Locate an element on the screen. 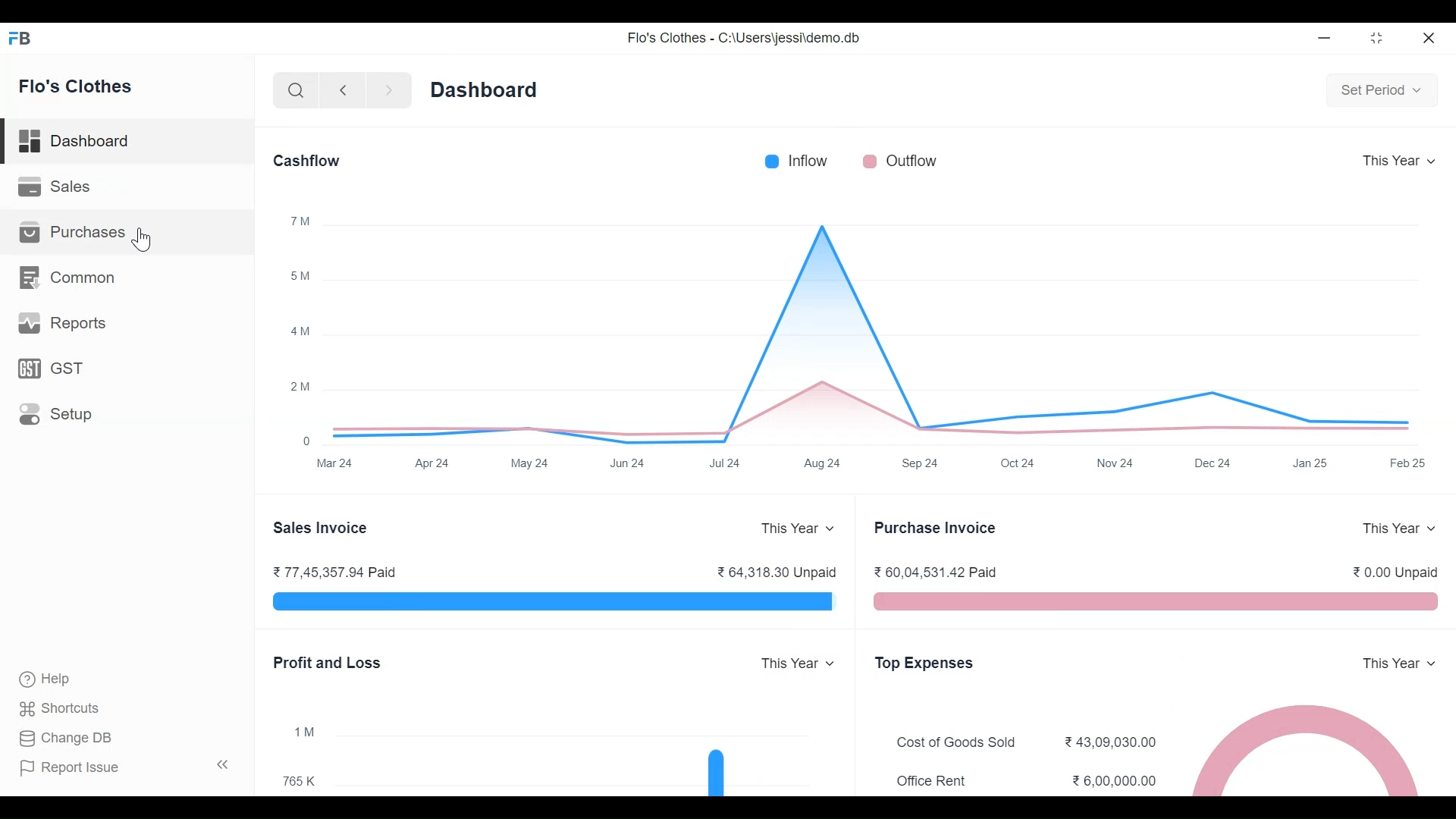  2M is located at coordinates (300, 387).